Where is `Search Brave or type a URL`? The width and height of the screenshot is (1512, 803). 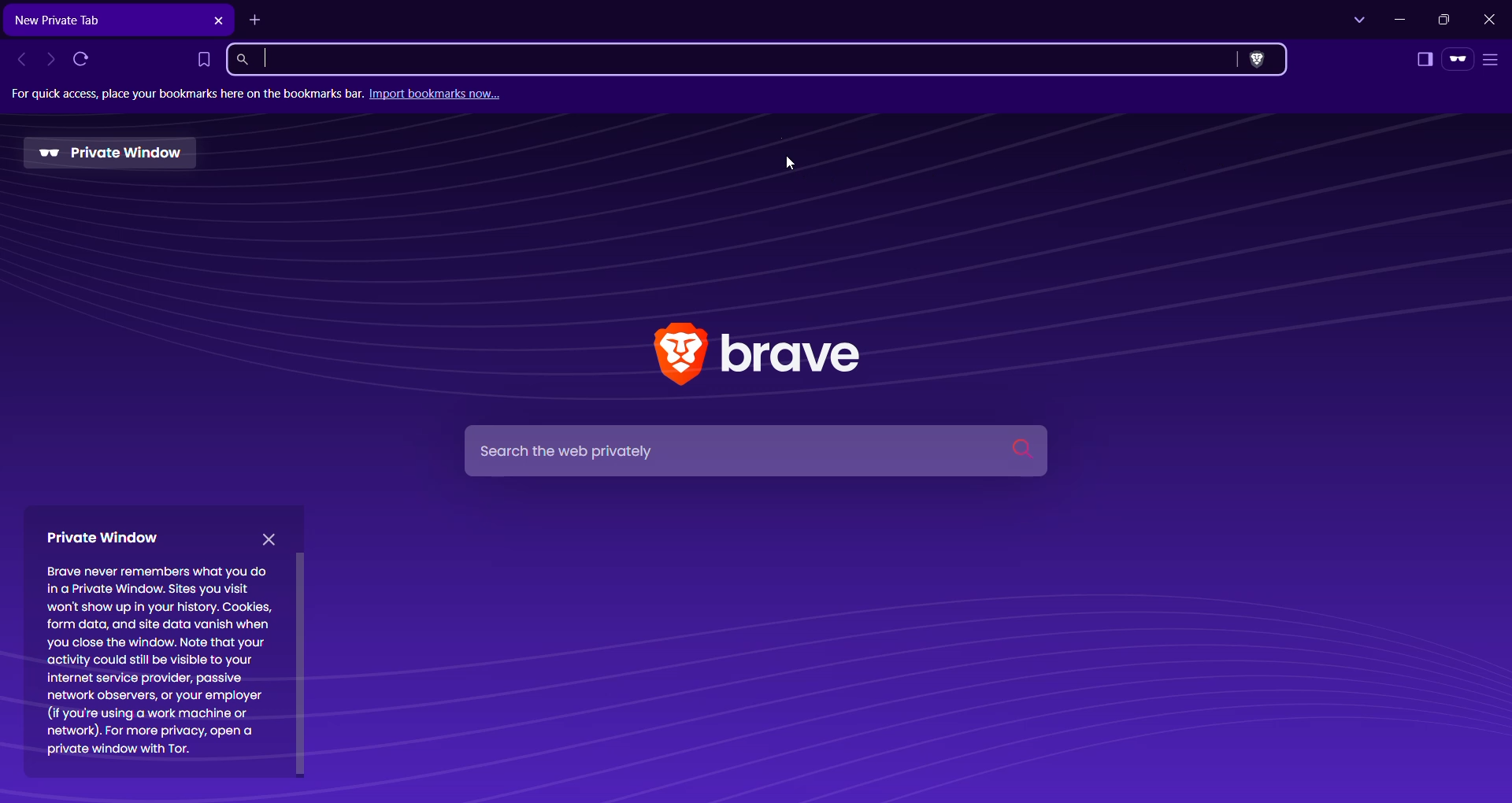 Search Brave or type a URL is located at coordinates (733, 60).